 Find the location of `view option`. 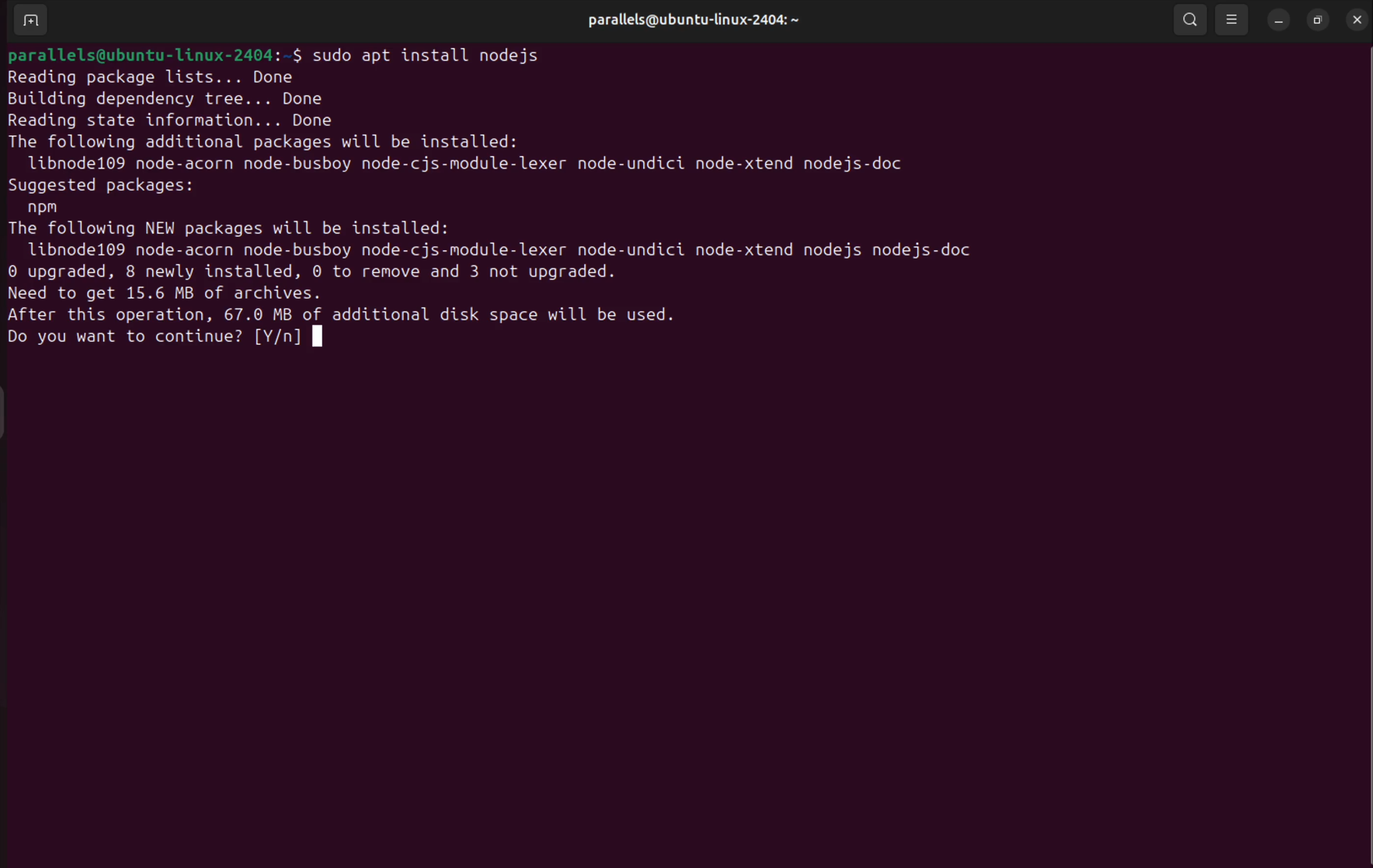

view option is located at coordinates (1234, 19).